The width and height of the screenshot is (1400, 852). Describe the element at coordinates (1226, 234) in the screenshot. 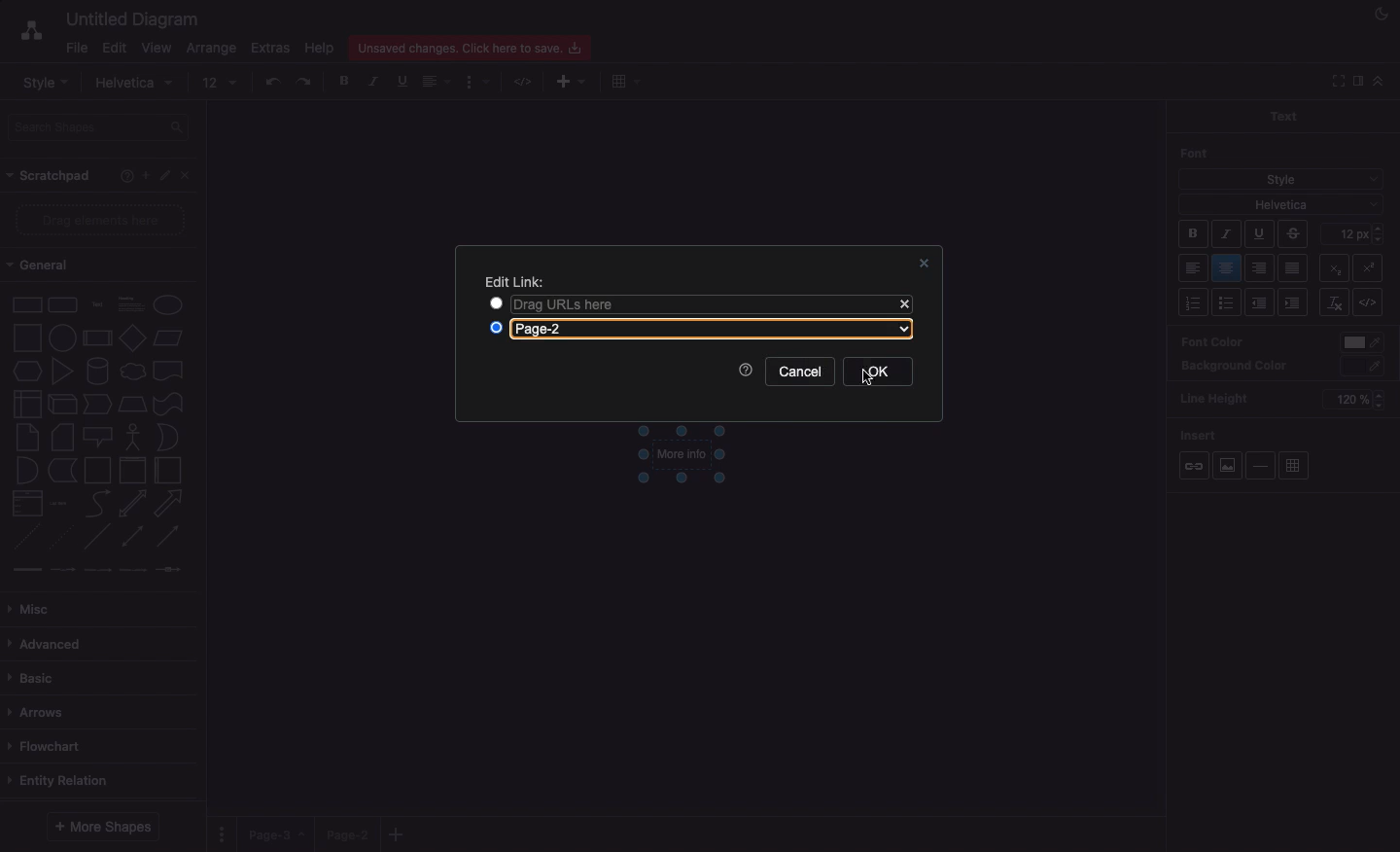

I see `Italic` at that location.